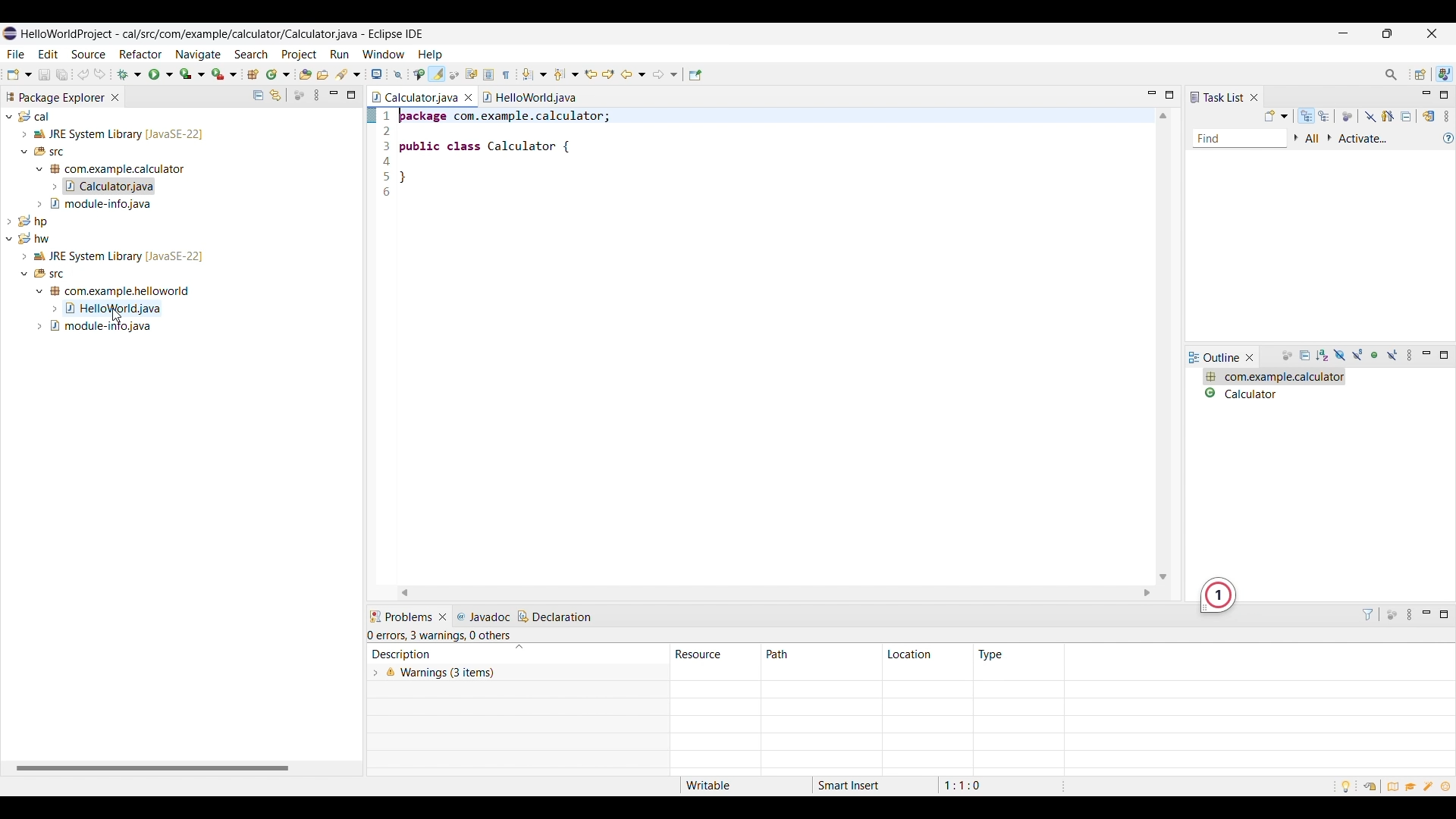 This screenshot has height=819, width=1456. I want to click on Activate, so click(1364, 140).